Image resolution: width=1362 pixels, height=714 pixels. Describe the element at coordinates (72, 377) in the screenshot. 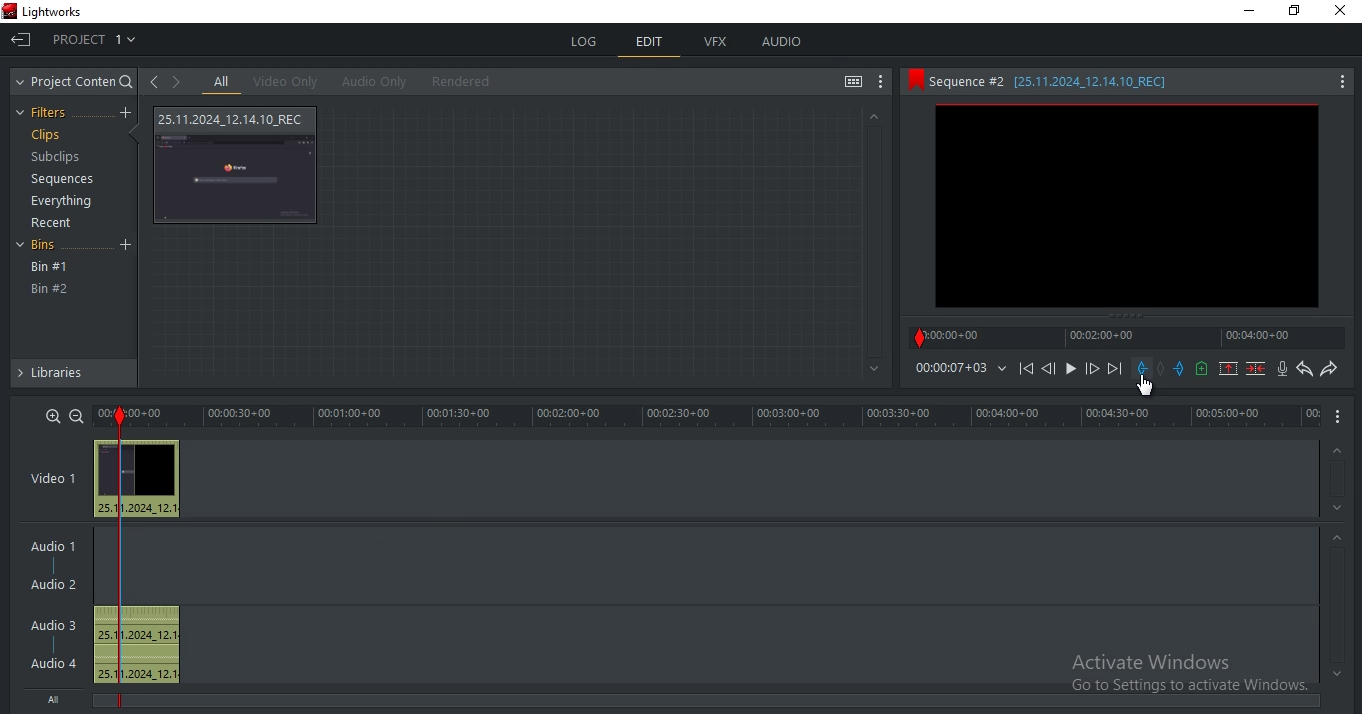

I see `libraries` at that location.